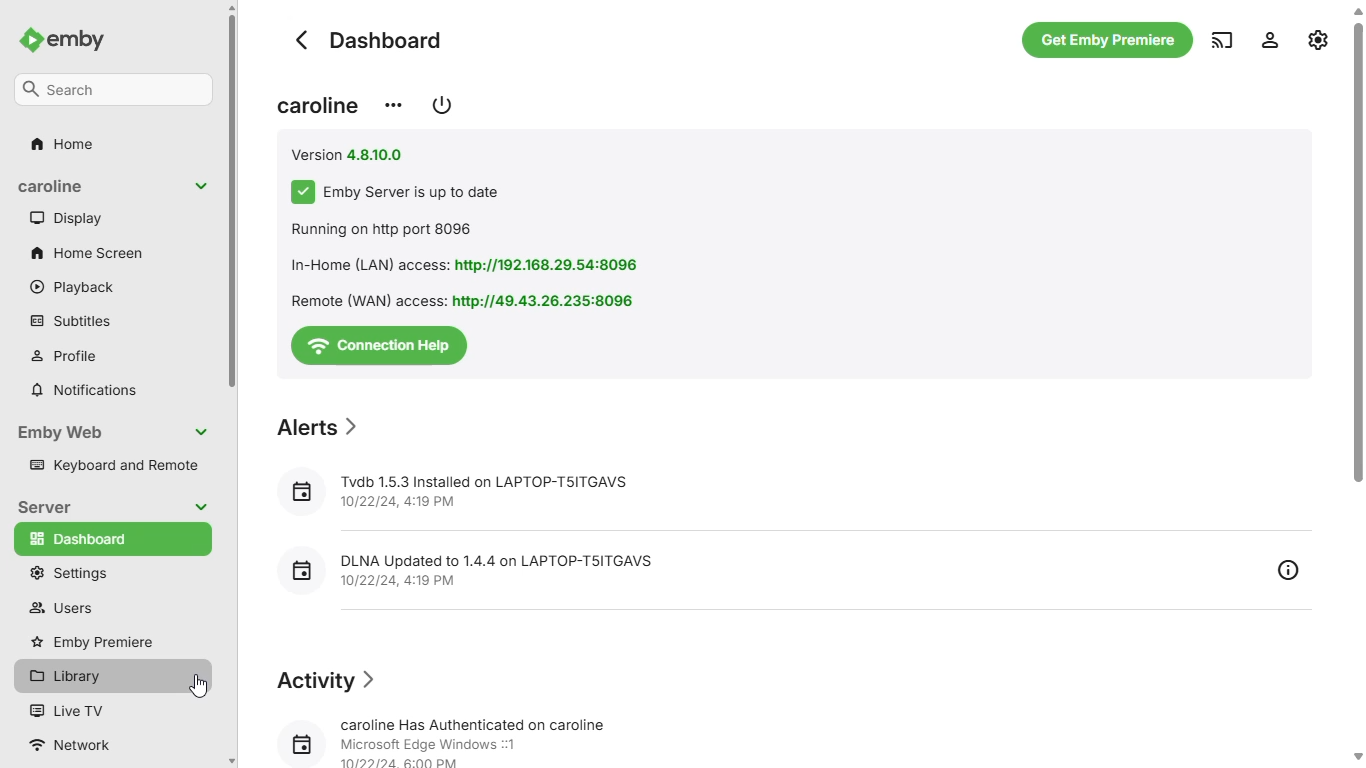 The height and width of the screenshot is (768, 1366). What do you see at coordinates (67, 217) in the screenshot?
I see `display` at bounding box center [67, 217].